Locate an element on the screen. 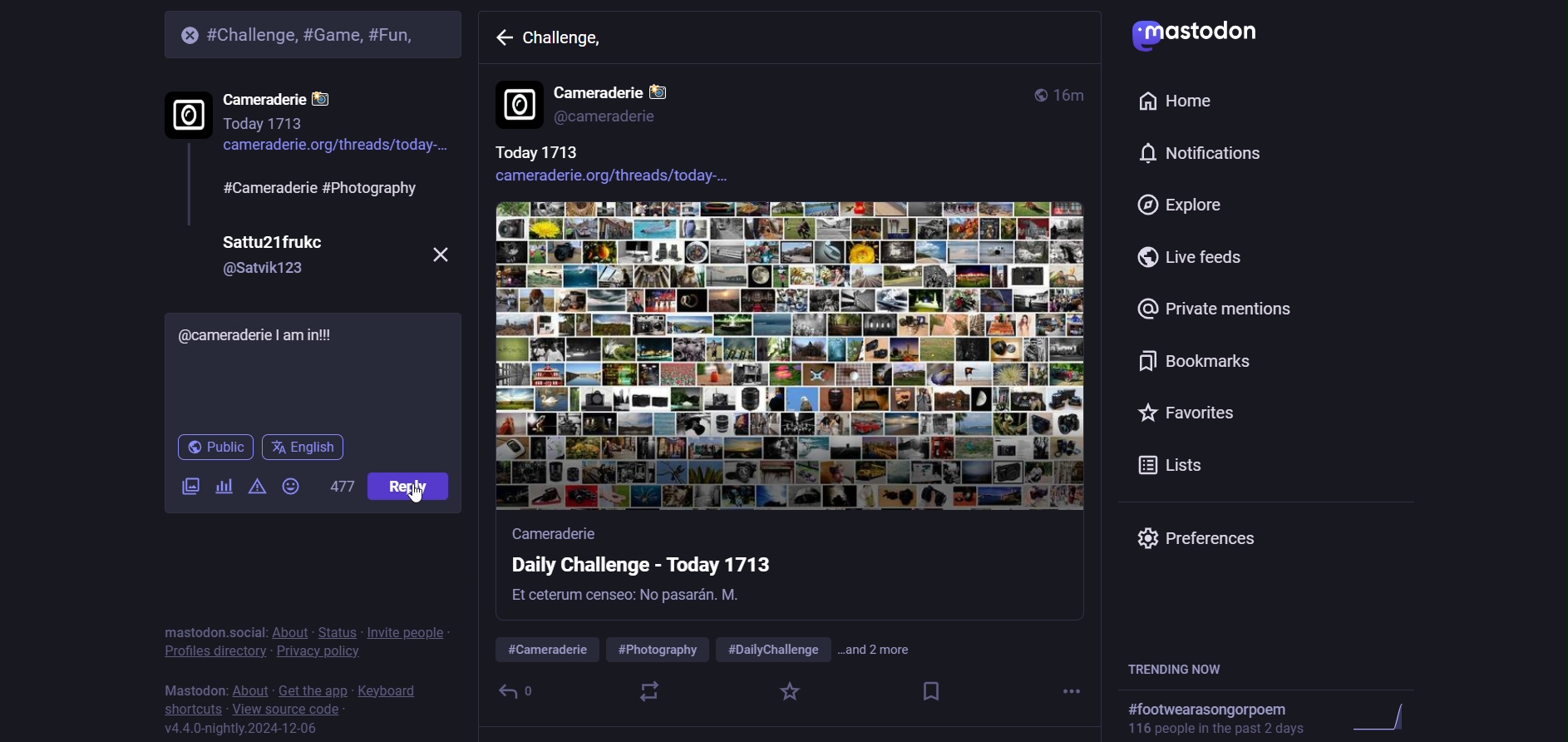  favorite is located at coordinates (789, 693).